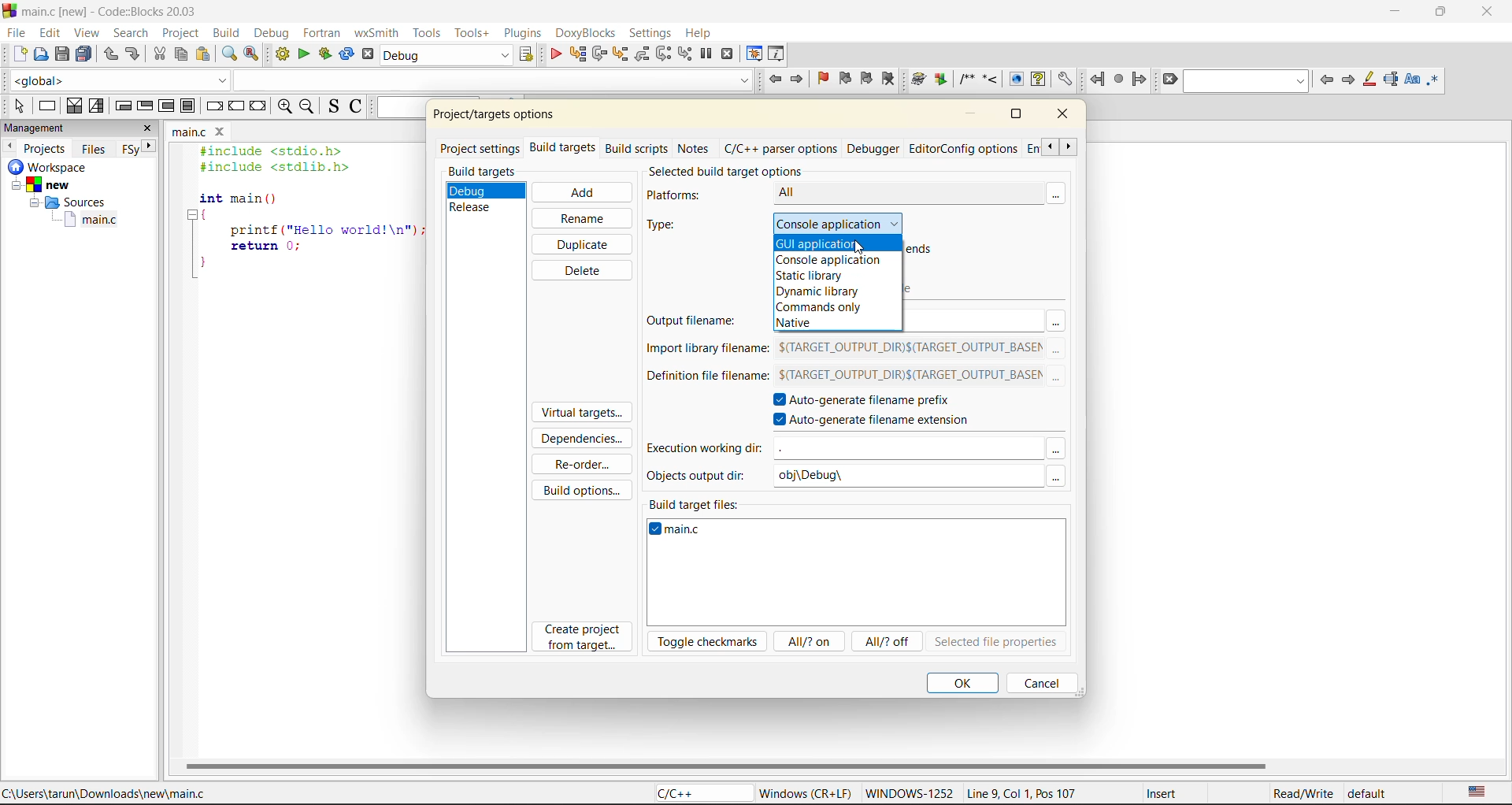 This screenshot has height=805, width=1512. Describe the element at coordinates (168, 106) in the screenshot. I see `counting loop` at that location.